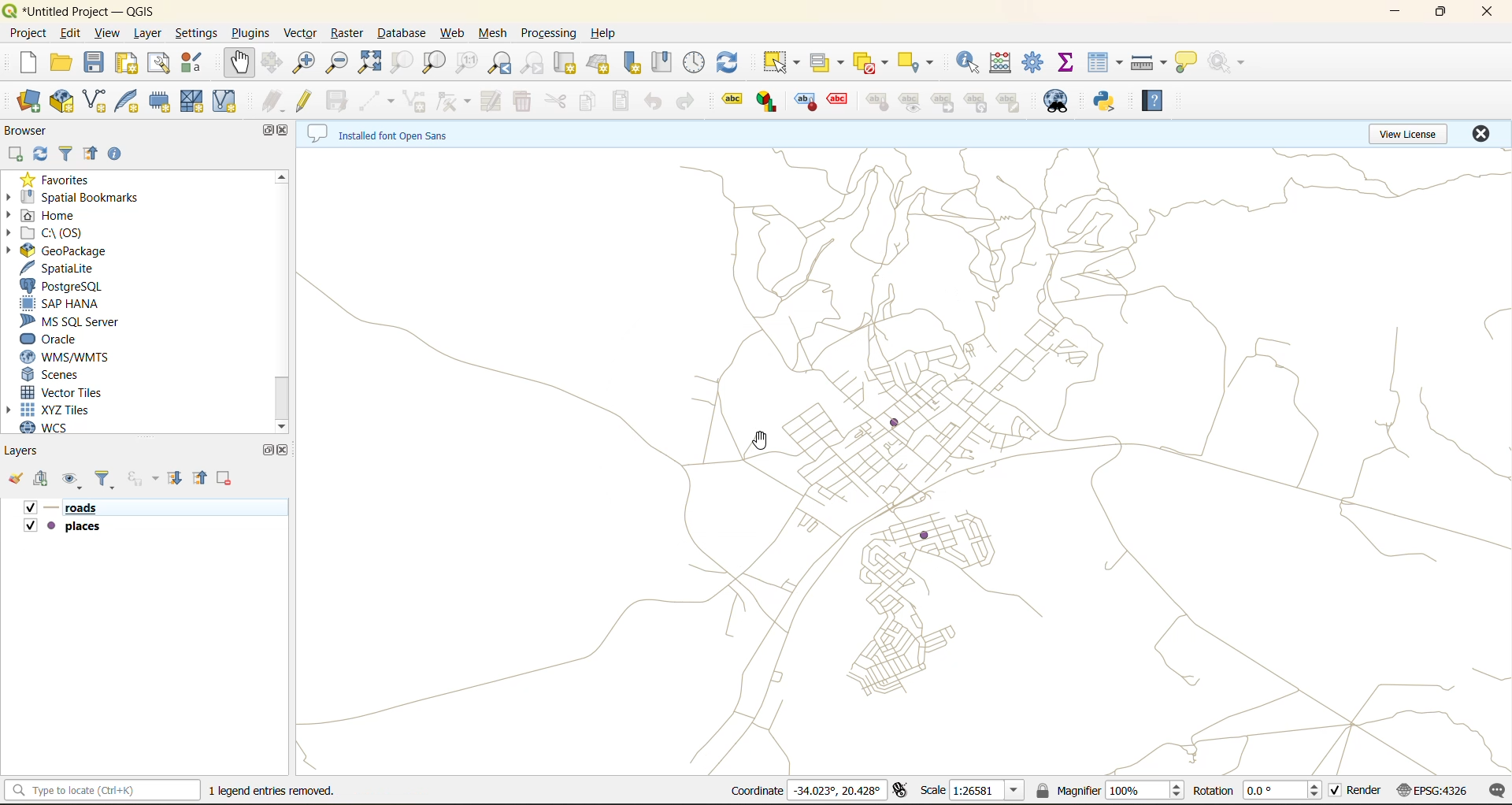 This screenshot has width=1512, height=805. What do you see at coordinates (1110, 793) in the screenshot?
I see `magnifier` at bounding box center [1110, 793].